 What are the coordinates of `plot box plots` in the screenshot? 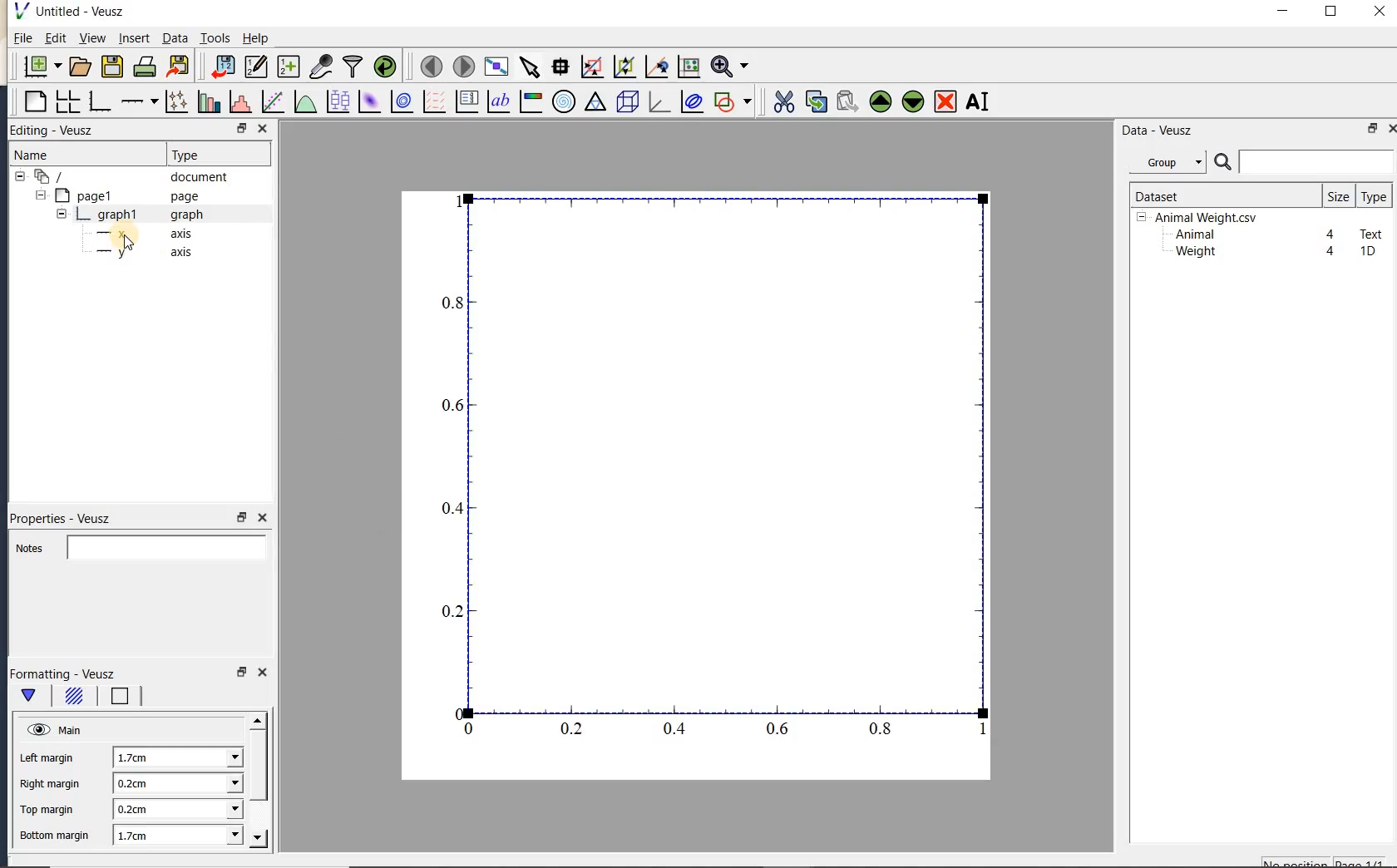 It's located at (335, 102).